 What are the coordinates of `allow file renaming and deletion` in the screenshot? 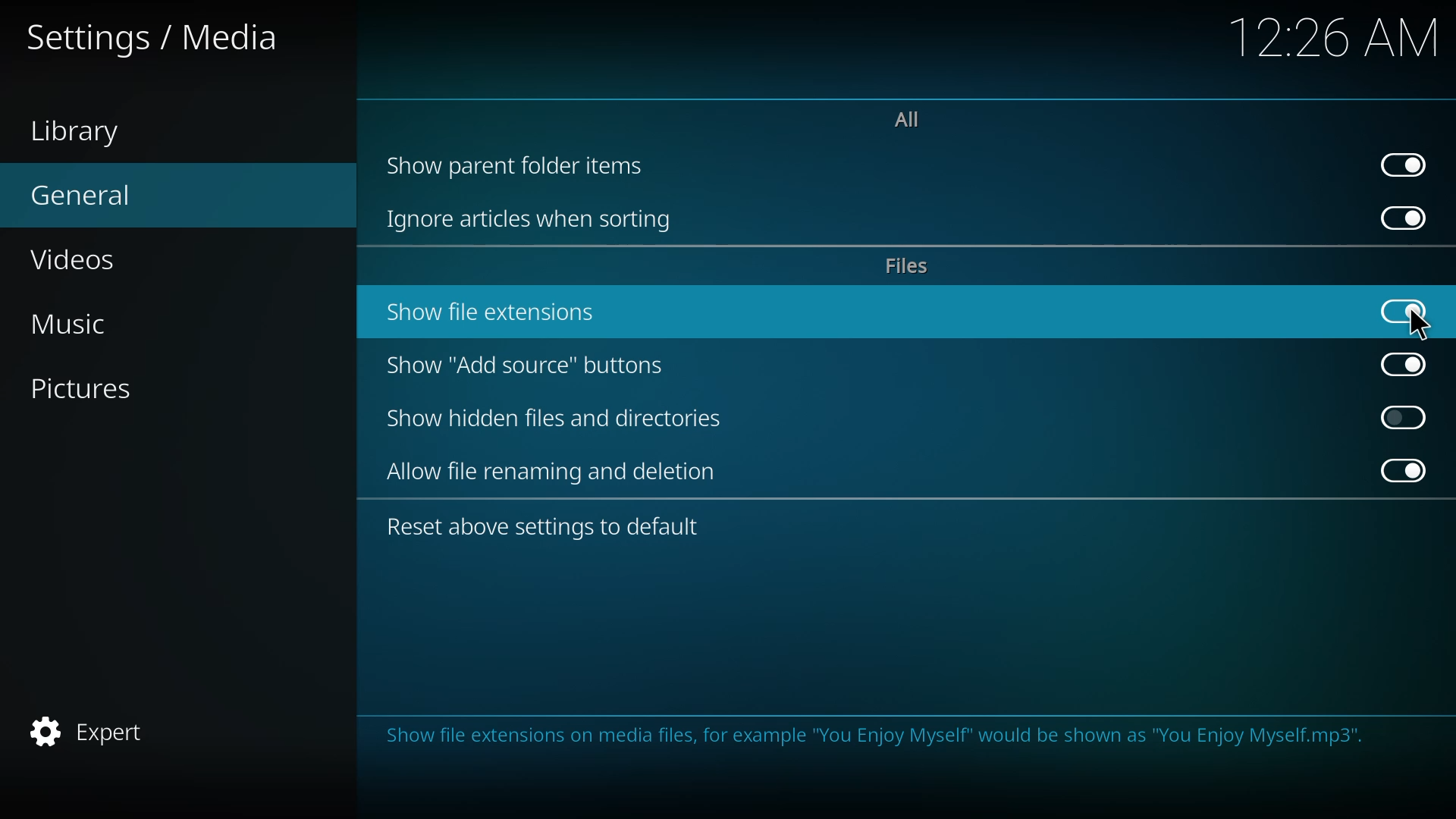 It's located at (555, 472).